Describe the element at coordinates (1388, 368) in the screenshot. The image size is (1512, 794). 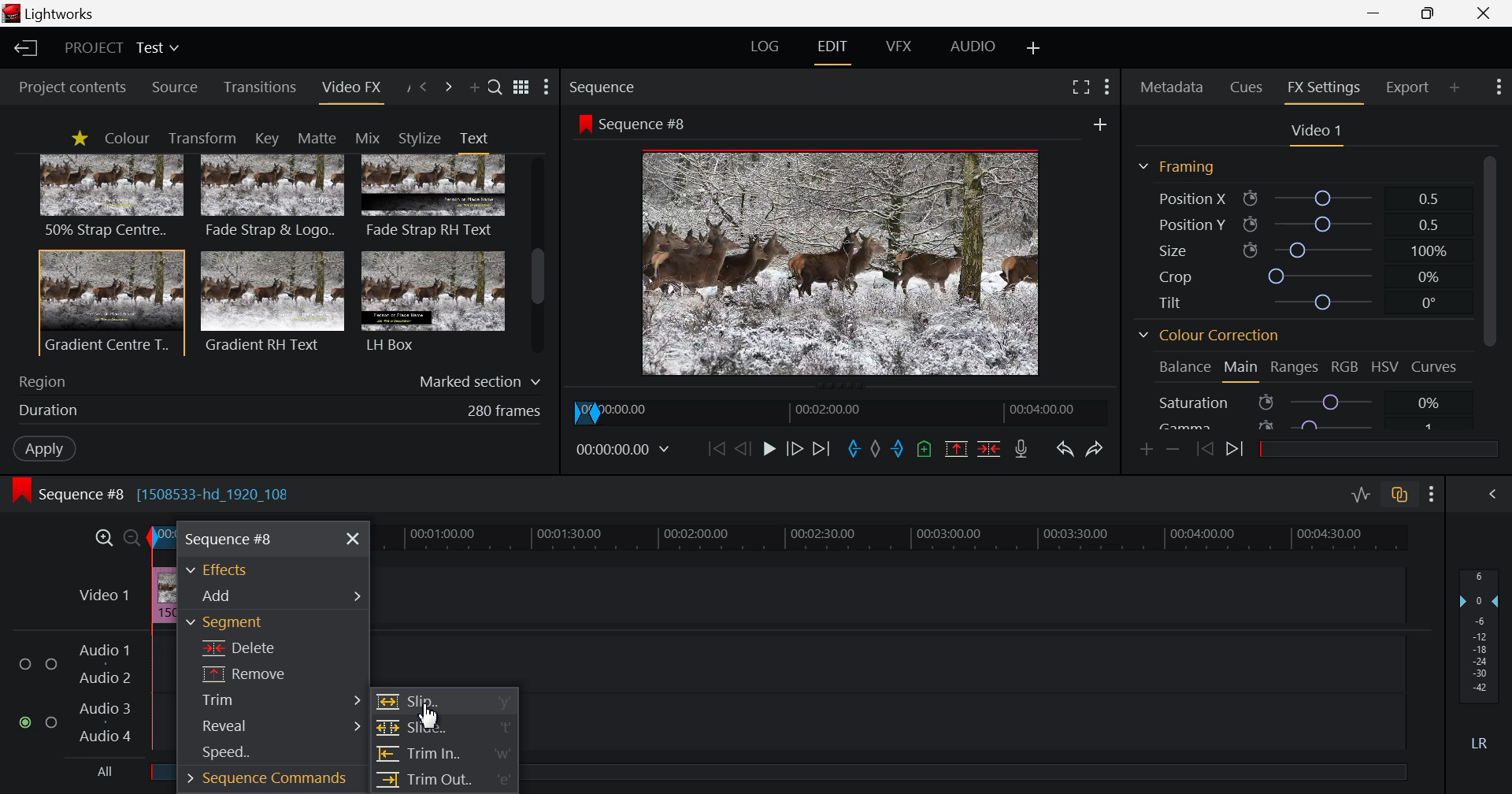
I see `HSV` at that location.